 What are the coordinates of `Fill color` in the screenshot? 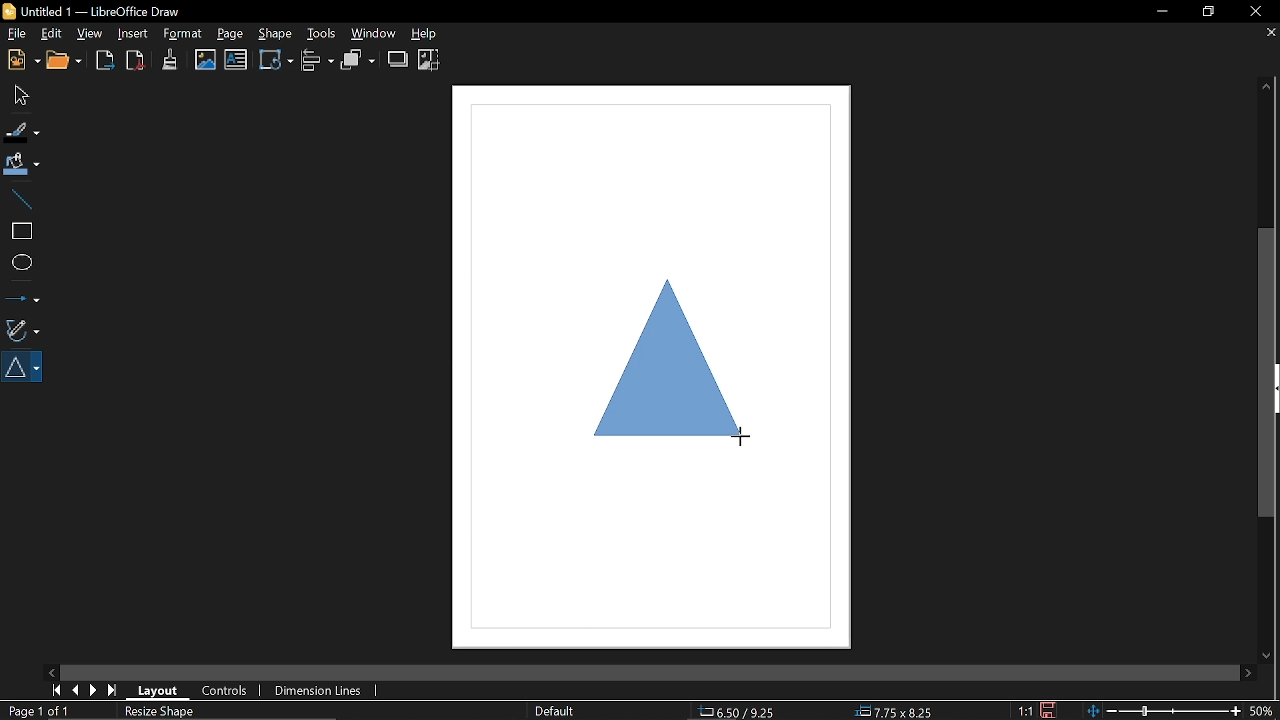 It's located at (22, 165).